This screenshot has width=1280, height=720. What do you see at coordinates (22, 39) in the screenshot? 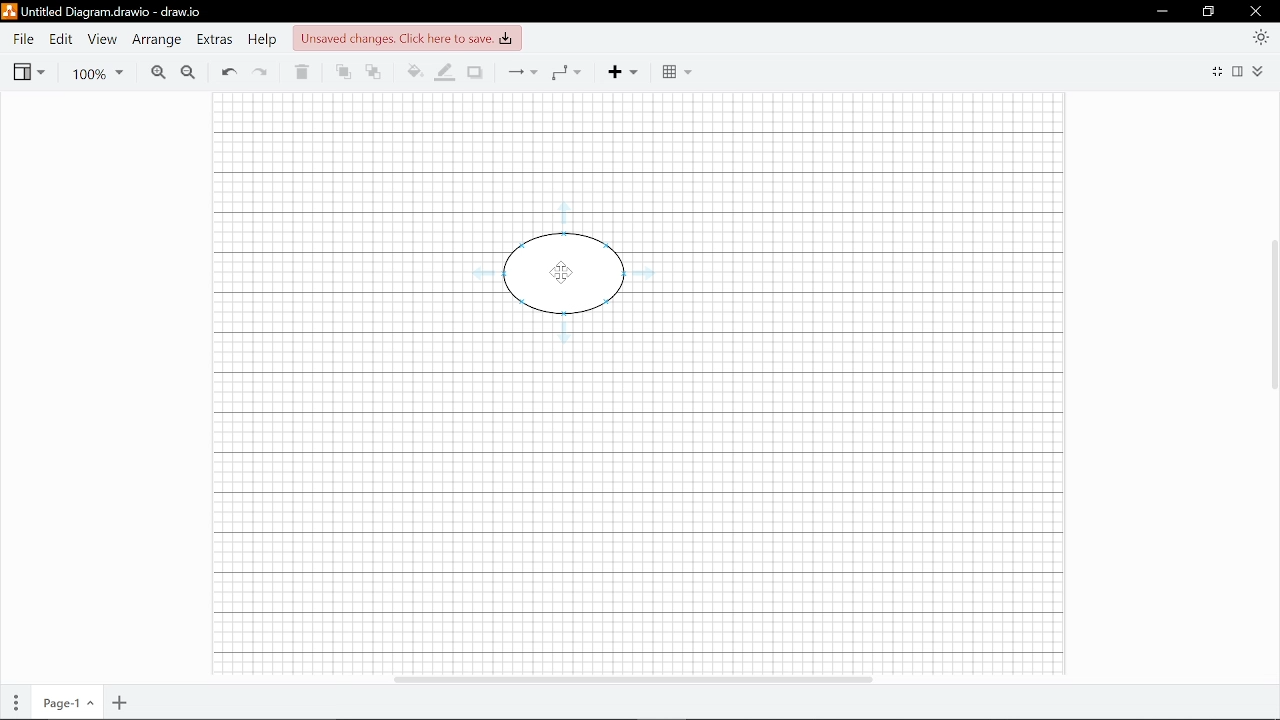
I see `File` at bounding box center [22, 39].